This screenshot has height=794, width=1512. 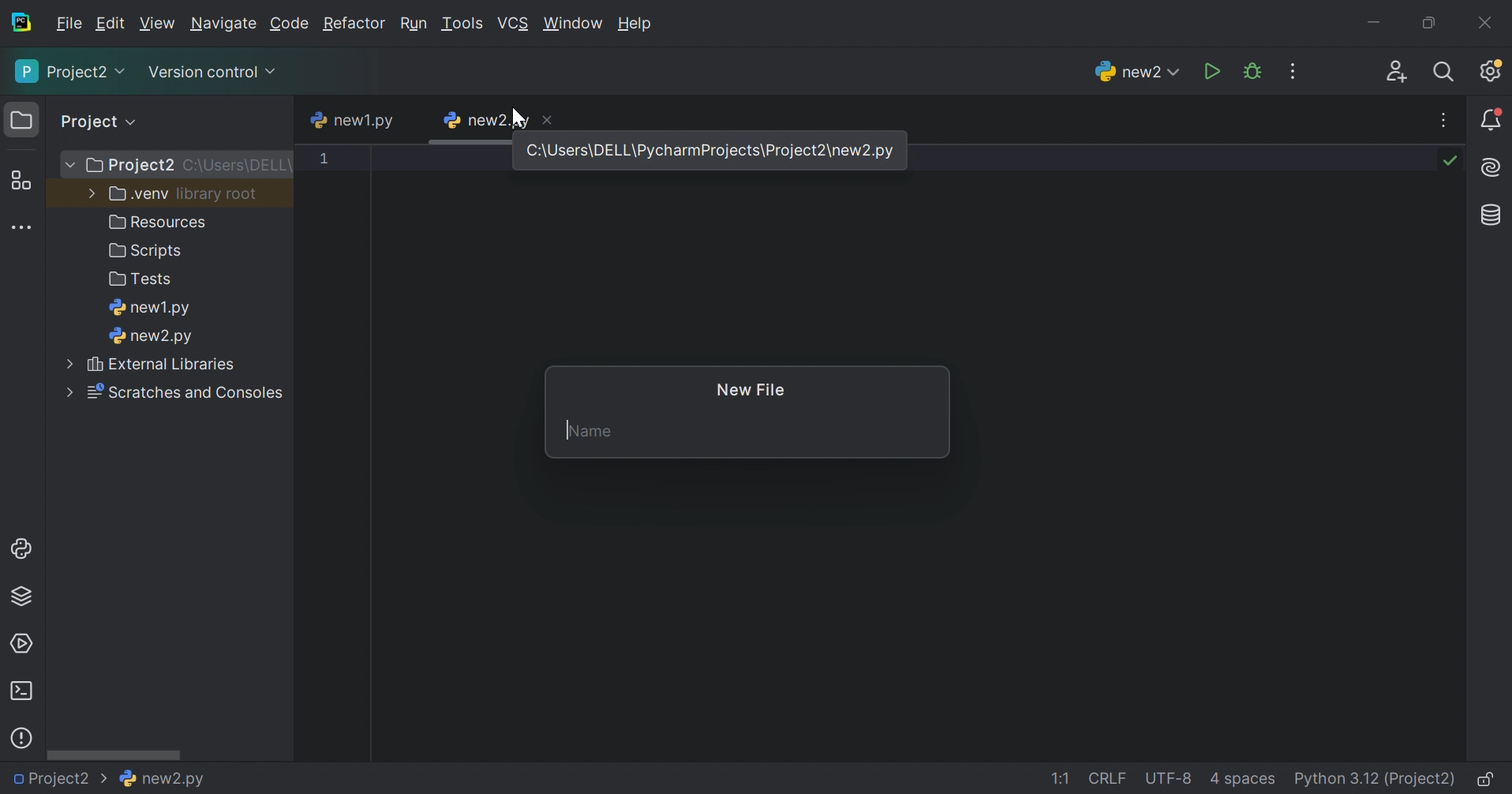 I want to click on expand all, so click(x=134, y=121).